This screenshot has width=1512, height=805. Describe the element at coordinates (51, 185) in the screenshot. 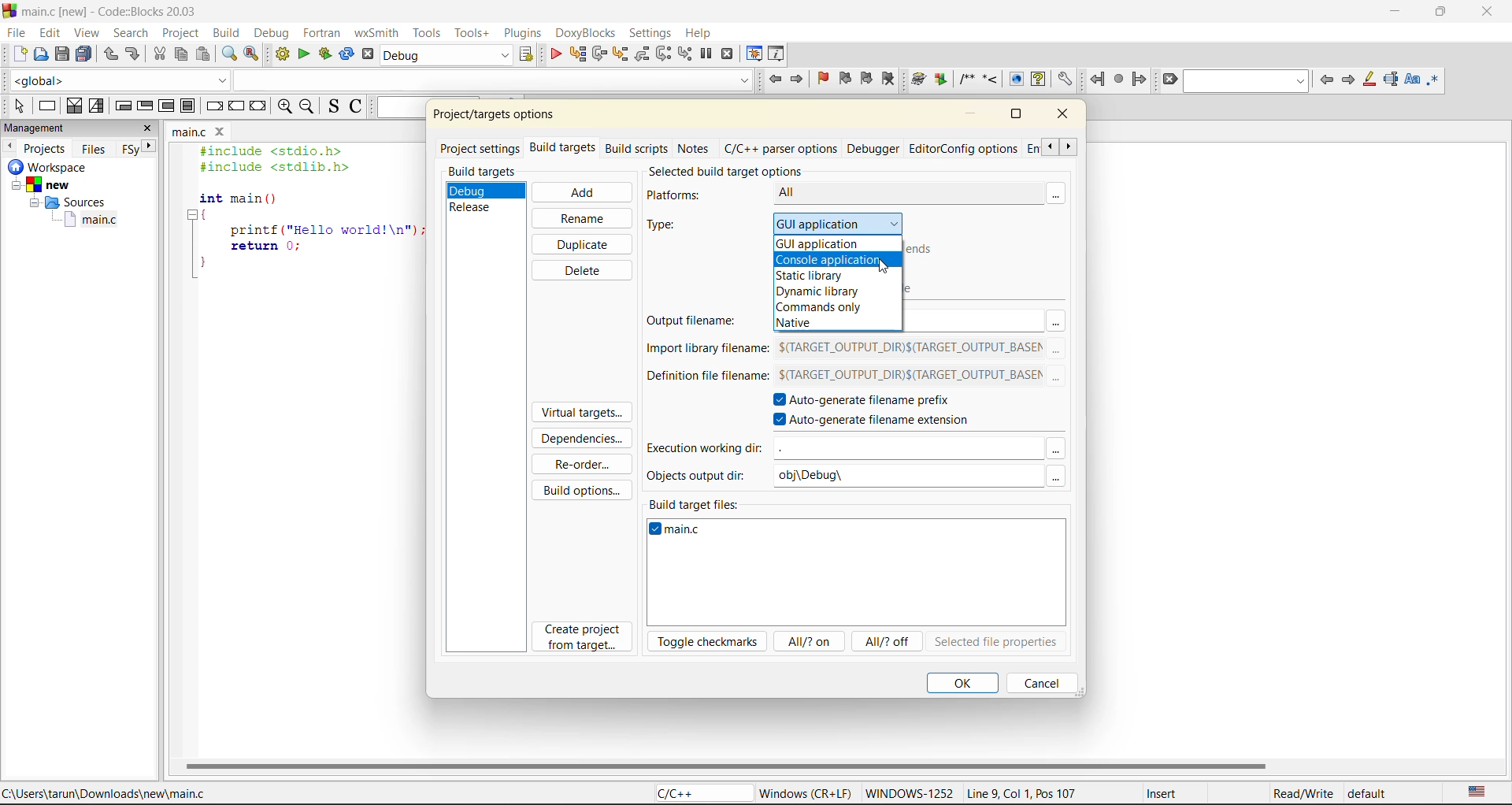

I see `New` at that location.